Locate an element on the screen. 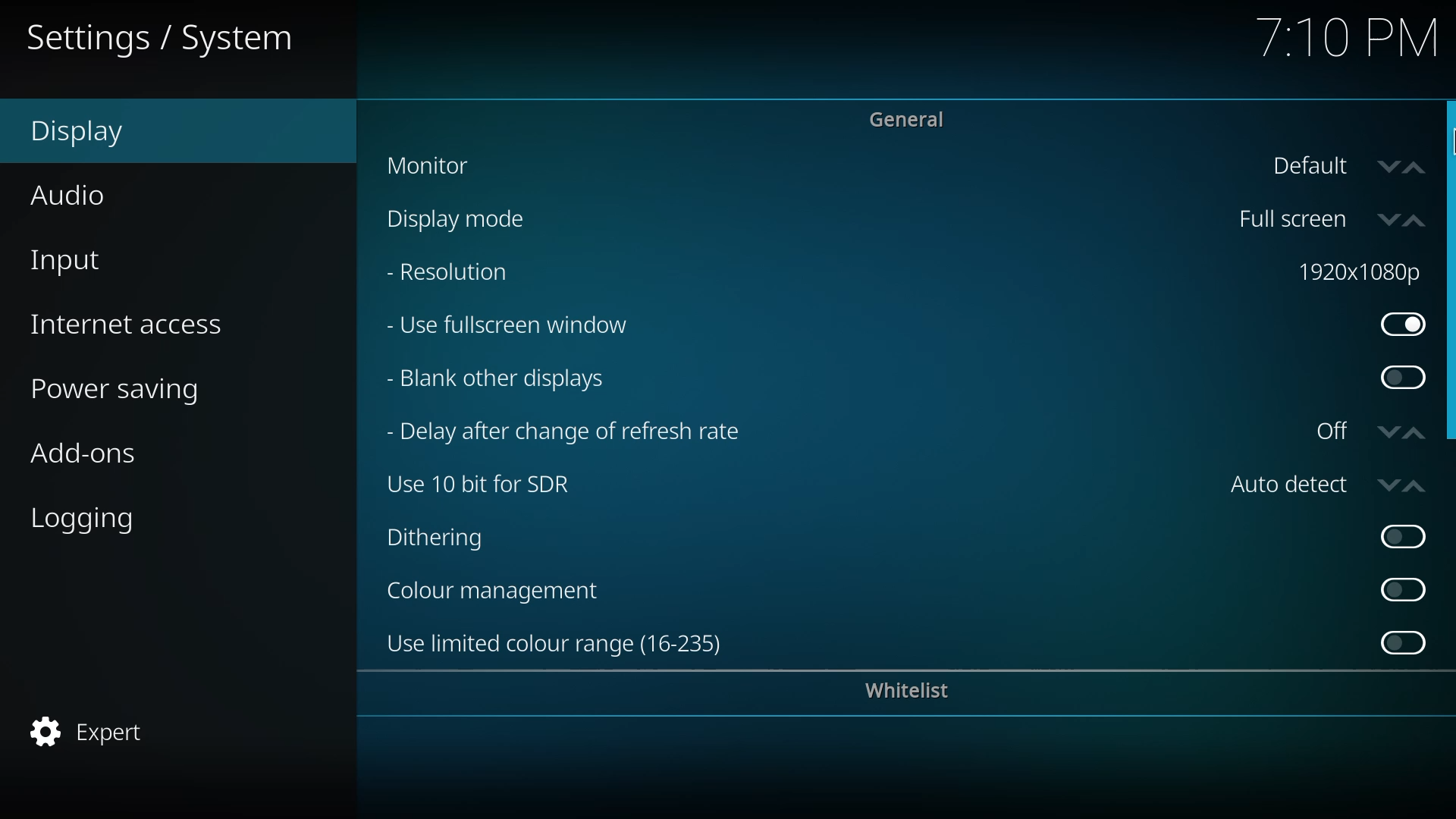 The width and height of the screenshot is (1456, 819). auto detect is located at coordinates (1323, 482).